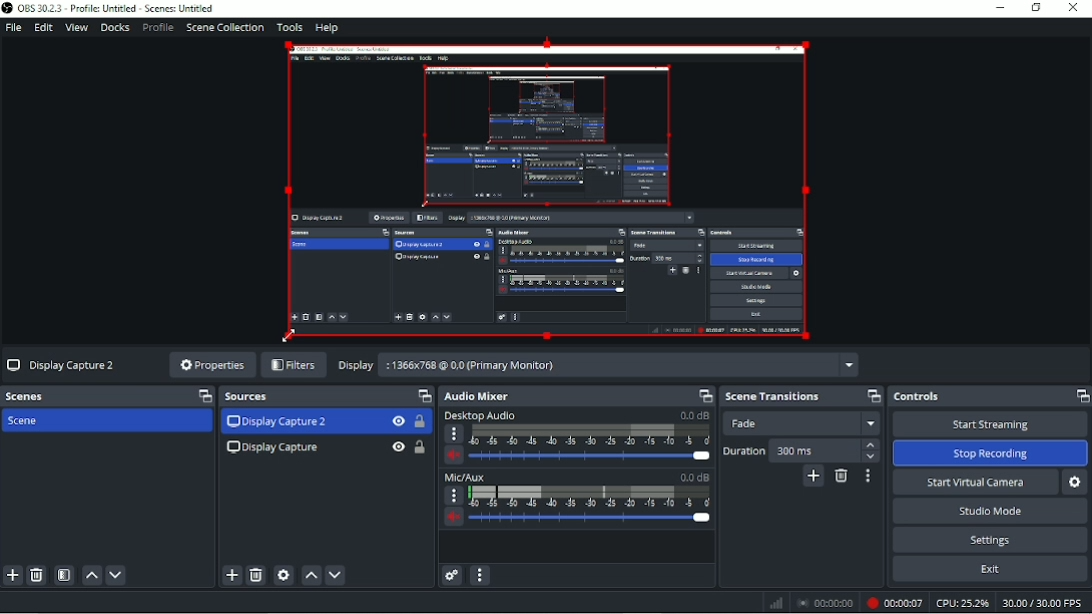 This screenshot has height=614, width=1092. Describe the element at coordinates (989, 569) in the screenshot. I see `Exit` at that location.